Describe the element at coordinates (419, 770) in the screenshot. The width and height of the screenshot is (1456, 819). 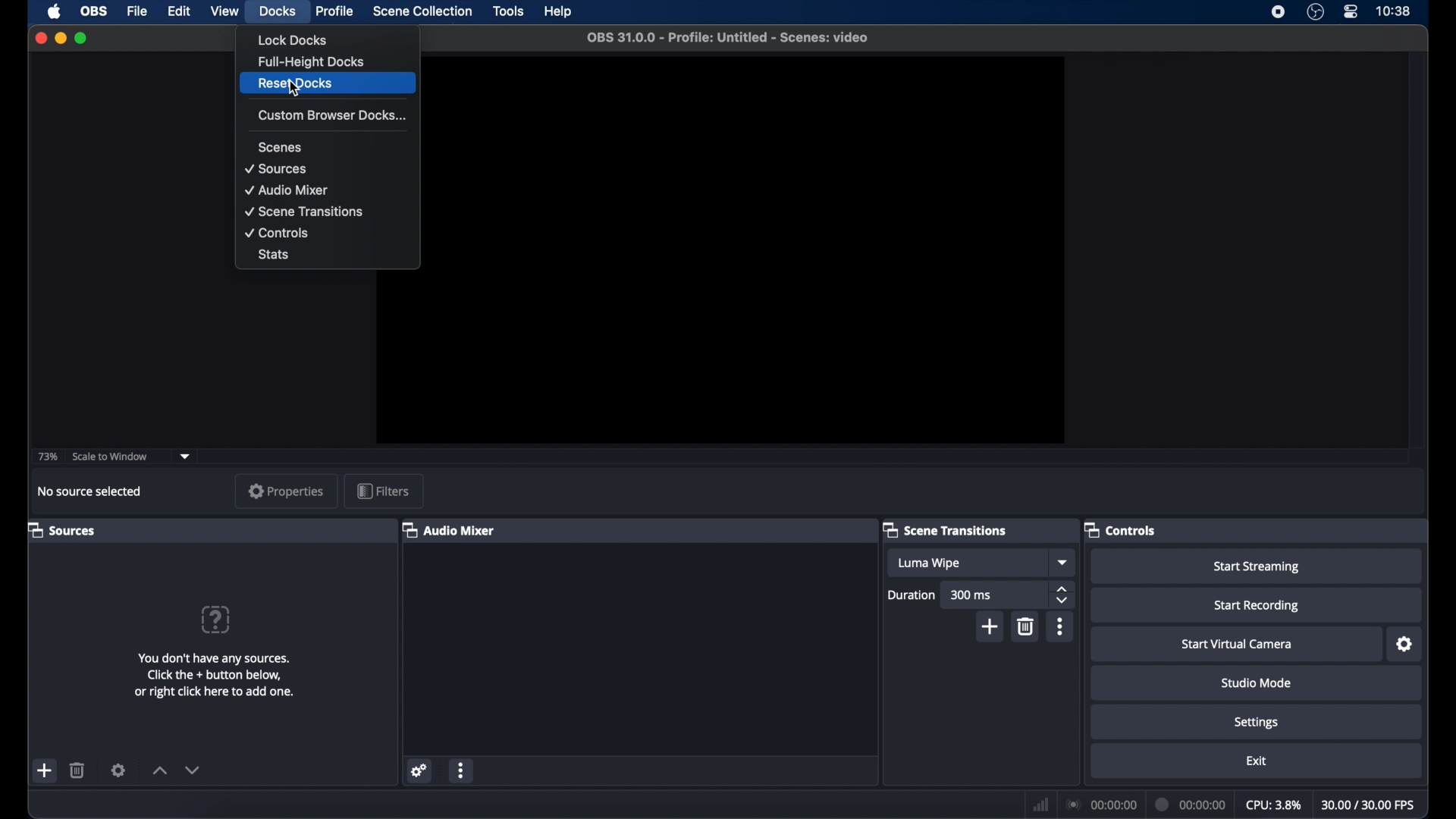
I see `network` at that location.